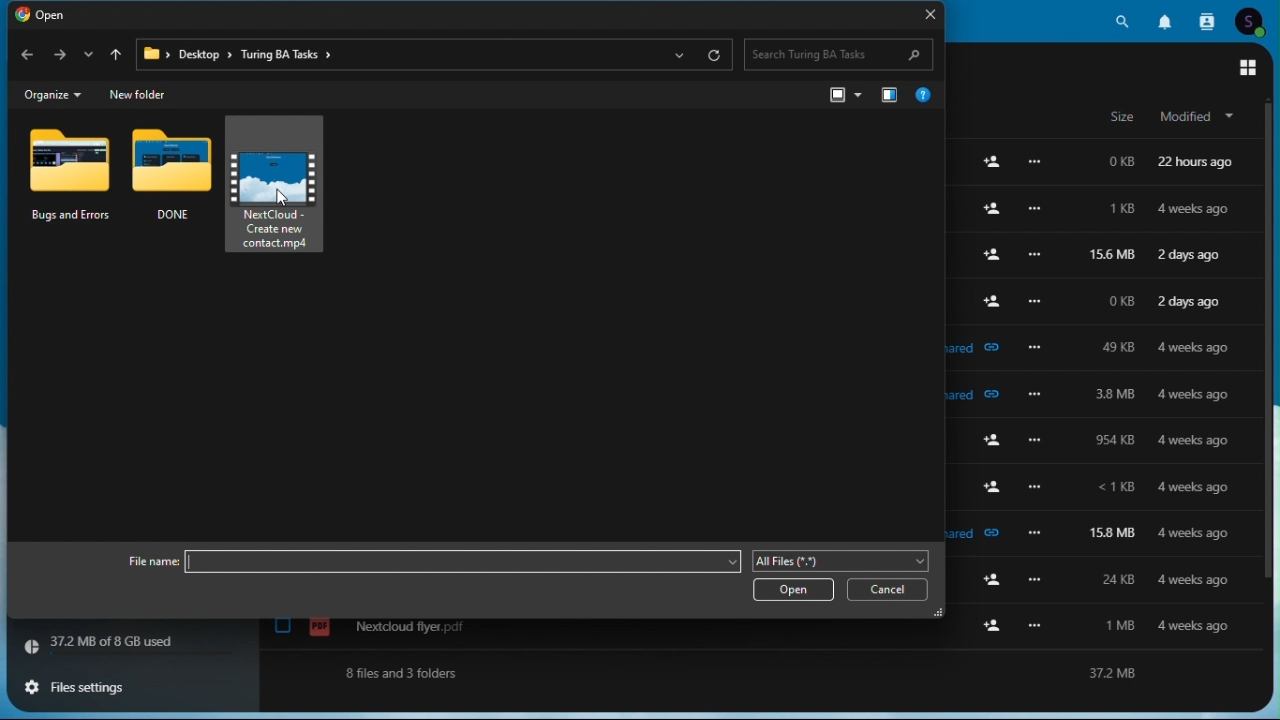 The image size is (1280, 720). I want to click on add user, so click(992, 486).